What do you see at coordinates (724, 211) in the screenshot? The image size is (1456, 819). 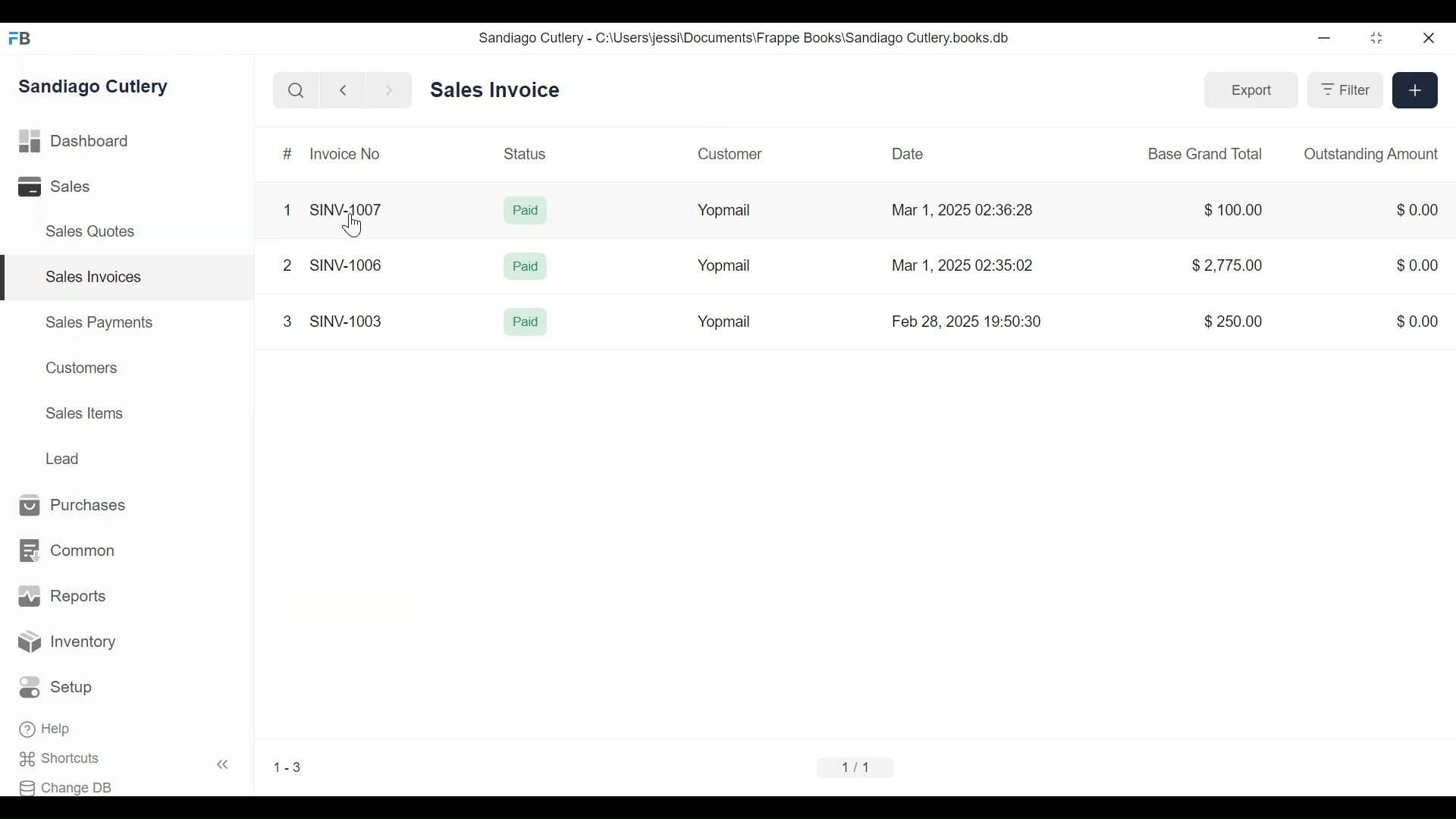 I see `Yopmail` at bounding box center [724, 211].